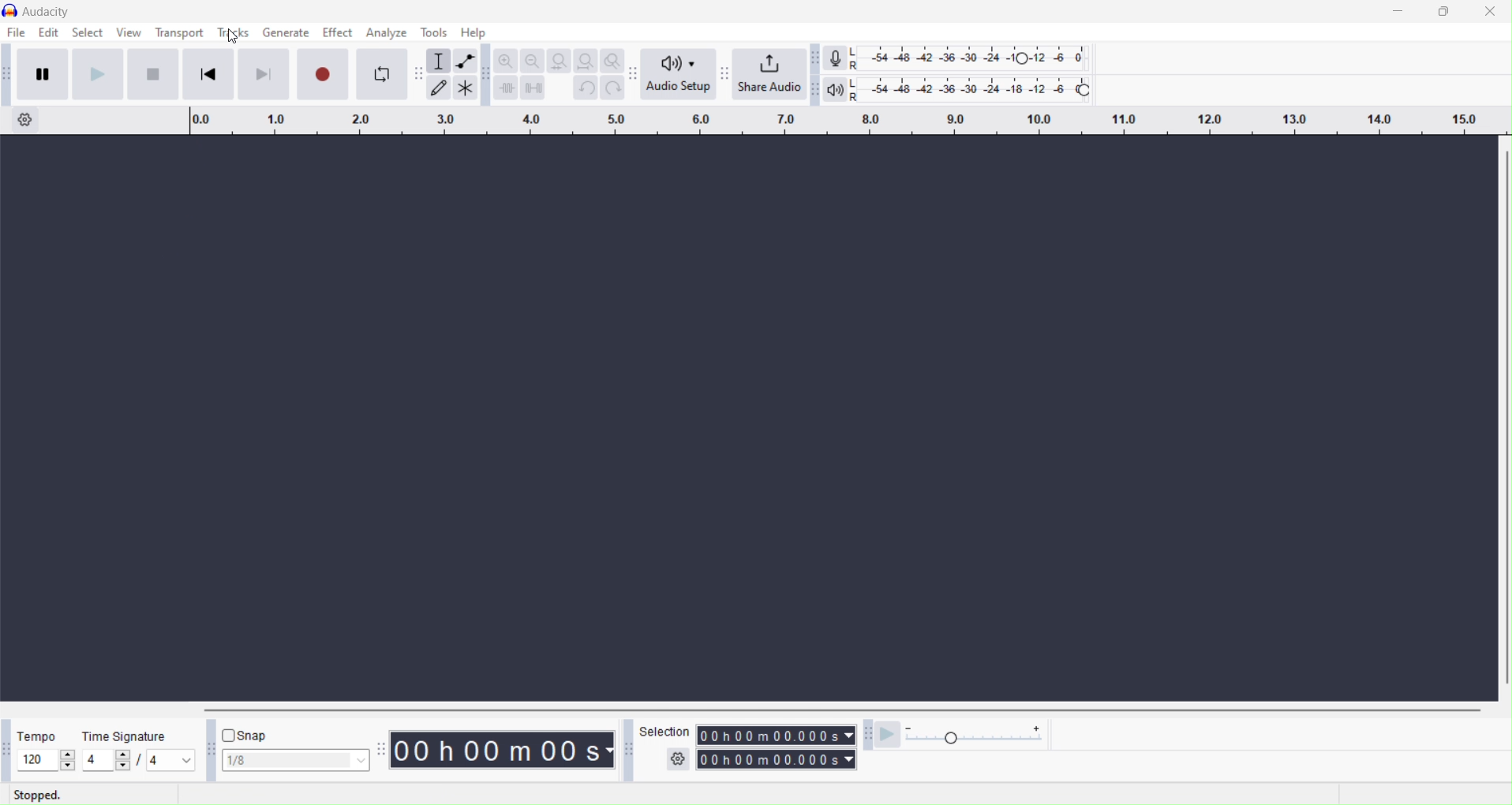 Image resolution: width=1512 pixels, height=805 pixels. I want to click on Share audio, so click(771, 75).